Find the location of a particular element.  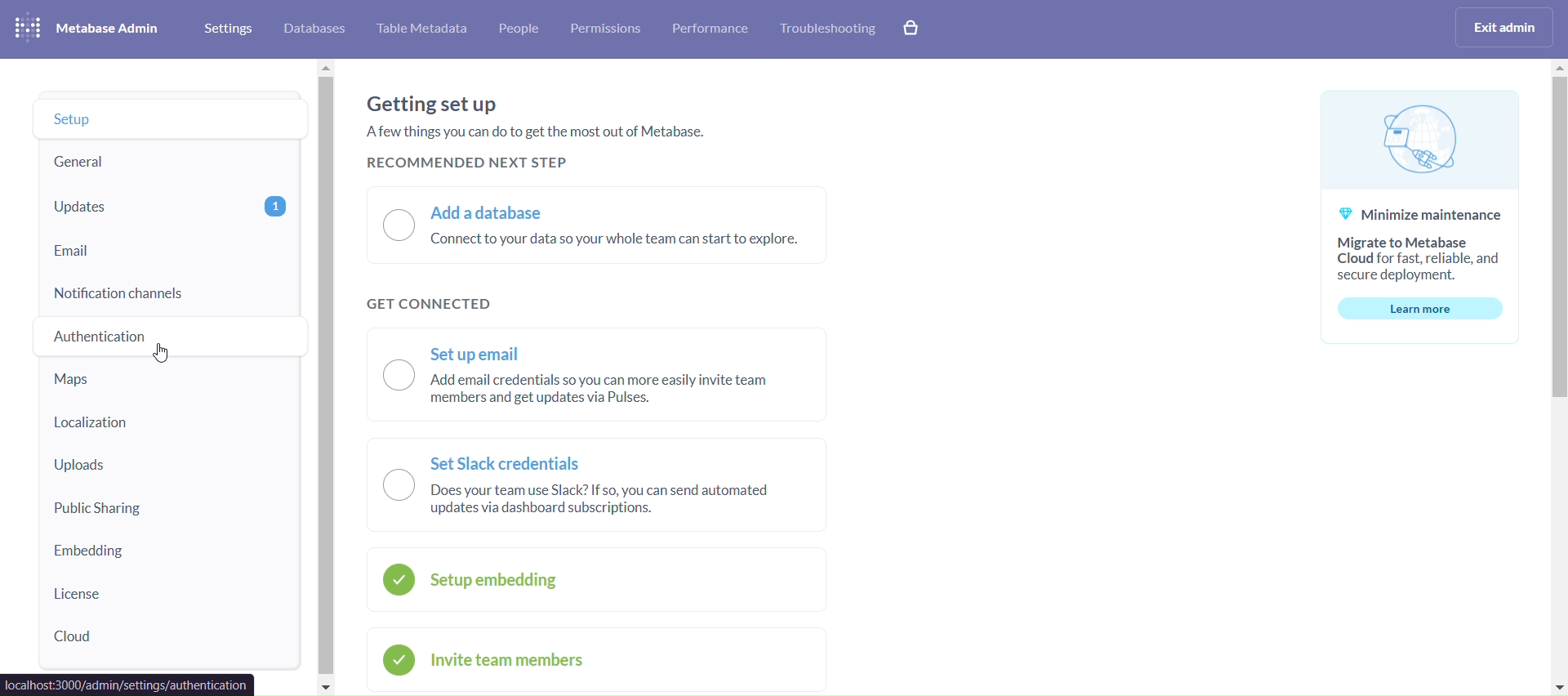

permissions is located at coordinates (605, 30).